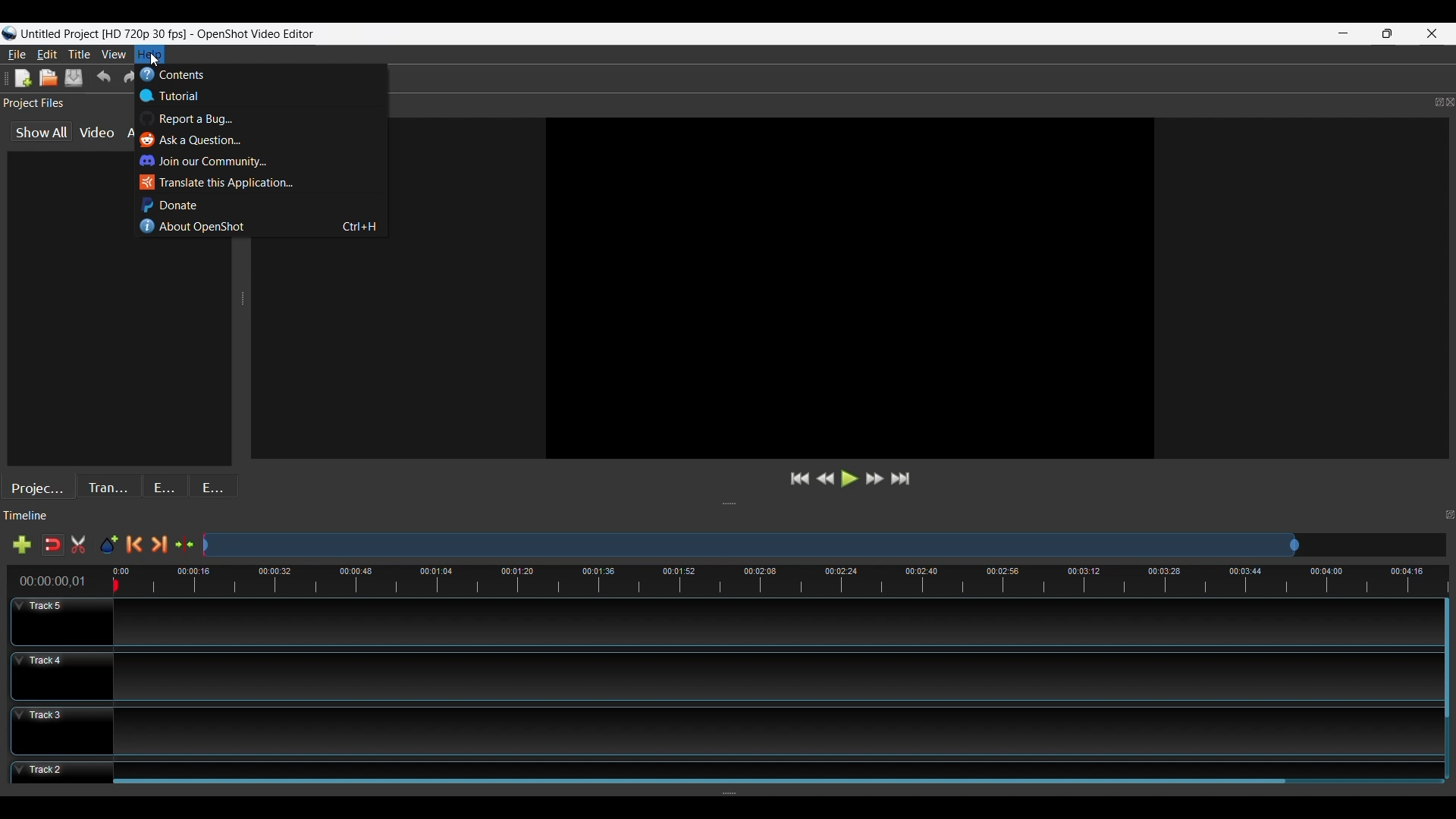  What do you see at coordinates (1432, 34) in the screenshot?
I see `Close` at bounding box center [1432, 34].